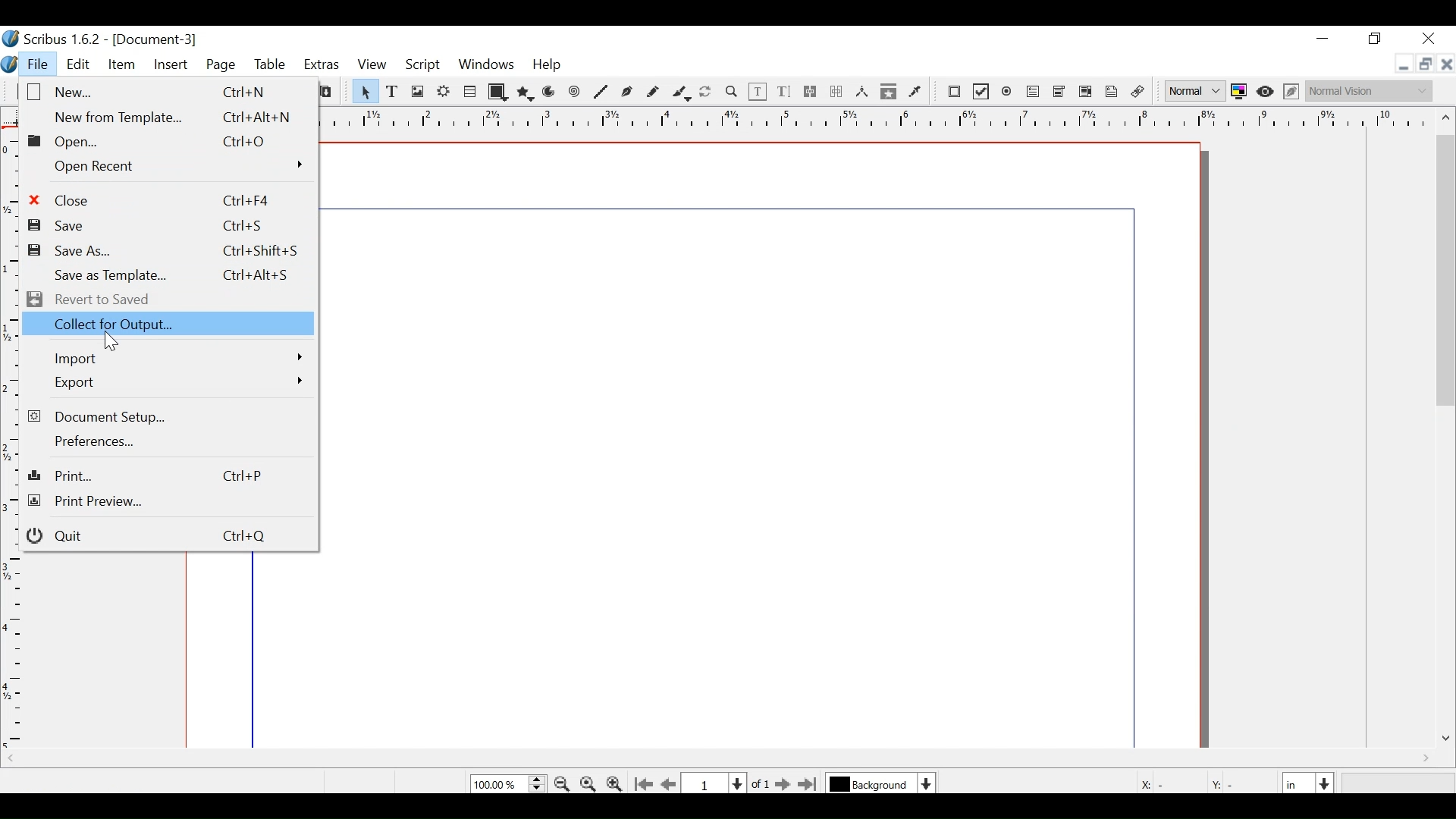 The height and width of the screenshot is (819, 1456). Describe the element at coordinates (177, 327) in the screenshot. I see `Collect for Output` at that location.